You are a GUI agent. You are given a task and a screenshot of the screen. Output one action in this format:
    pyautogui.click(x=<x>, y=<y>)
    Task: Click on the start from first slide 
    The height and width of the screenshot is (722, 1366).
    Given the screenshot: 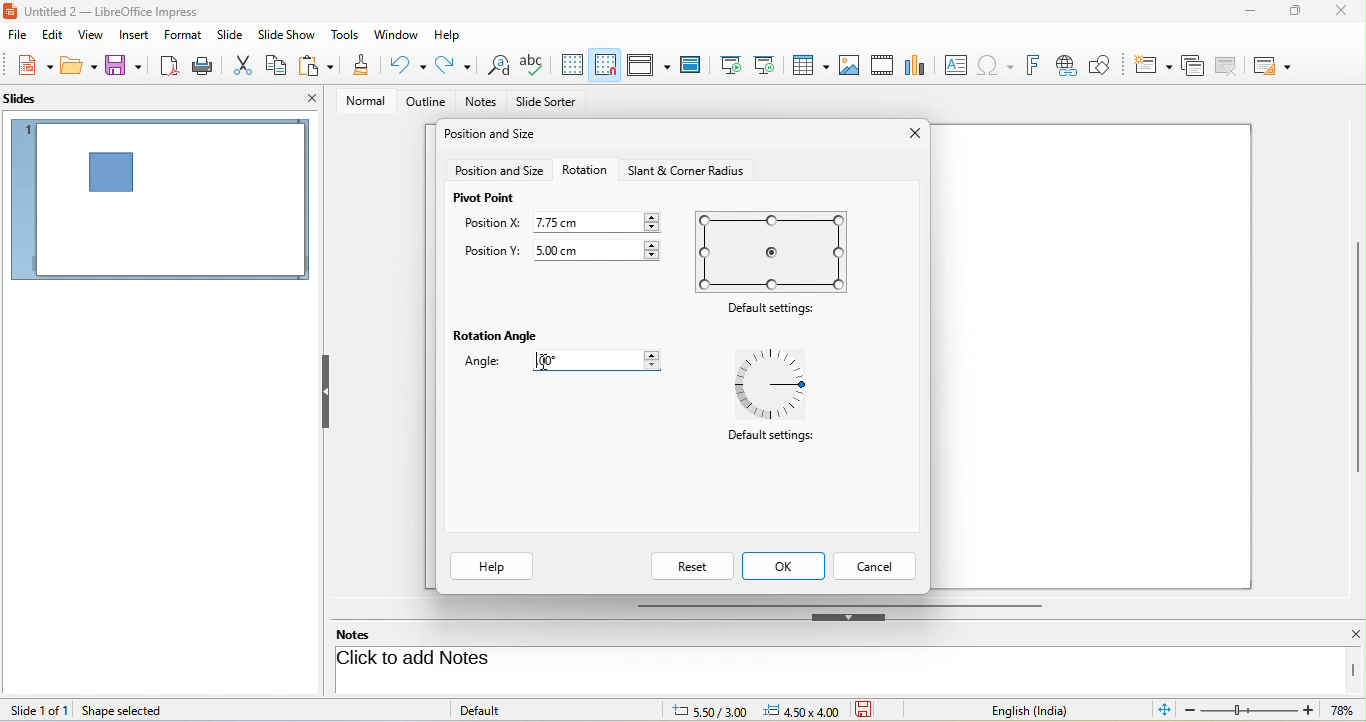 What is the action you would take?
    pyautogui.click(x=731, y=64)
    